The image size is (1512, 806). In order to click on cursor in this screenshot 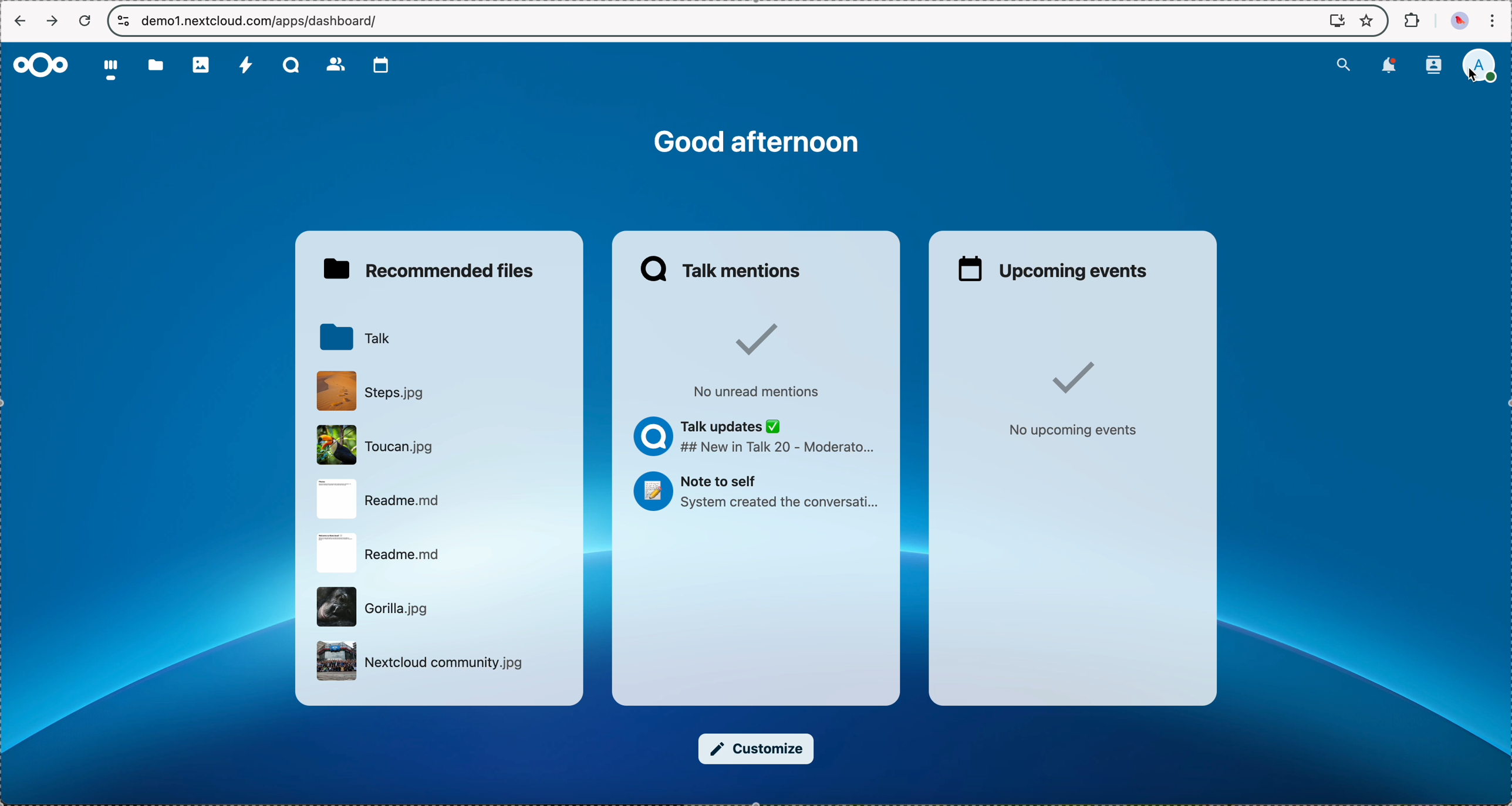, I will do `click(1470, 78)`.